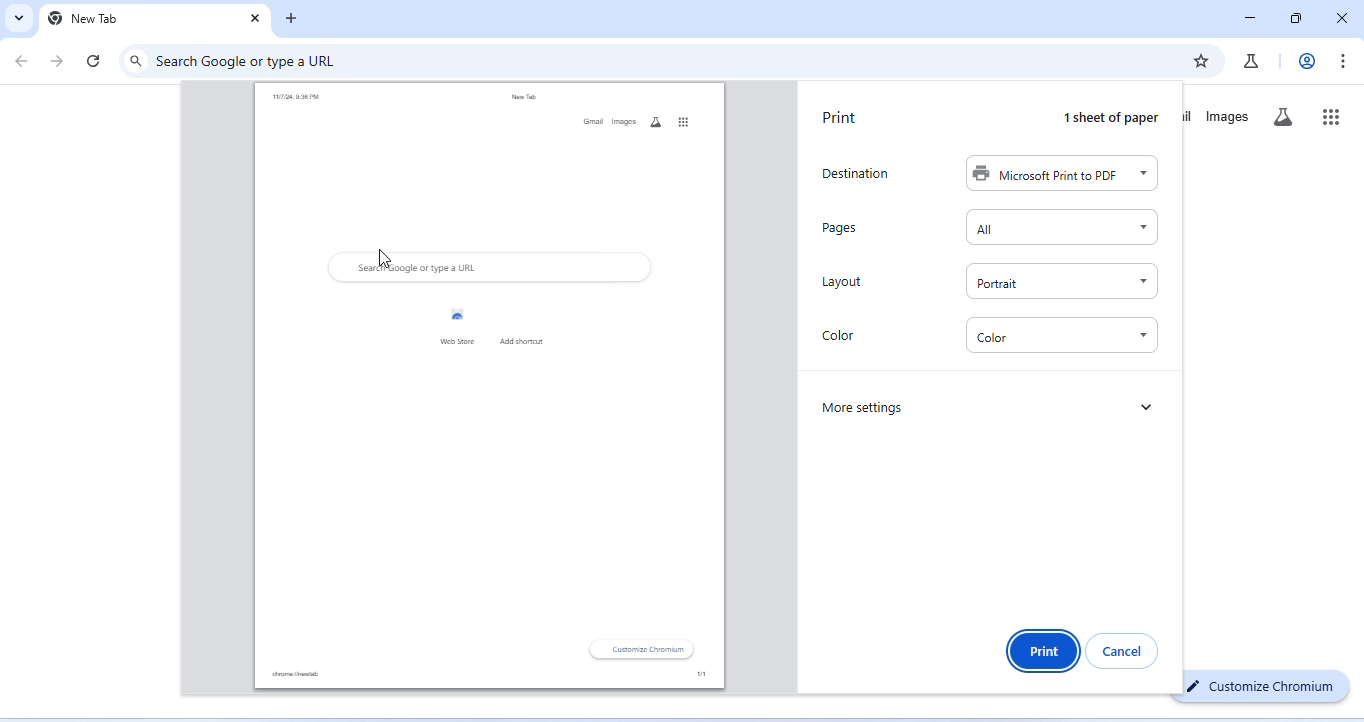 The height and width of the screenshot is (722, 1364). Describe the element at coordinates (623, 121) in the screenshot. I see `images` at that location.